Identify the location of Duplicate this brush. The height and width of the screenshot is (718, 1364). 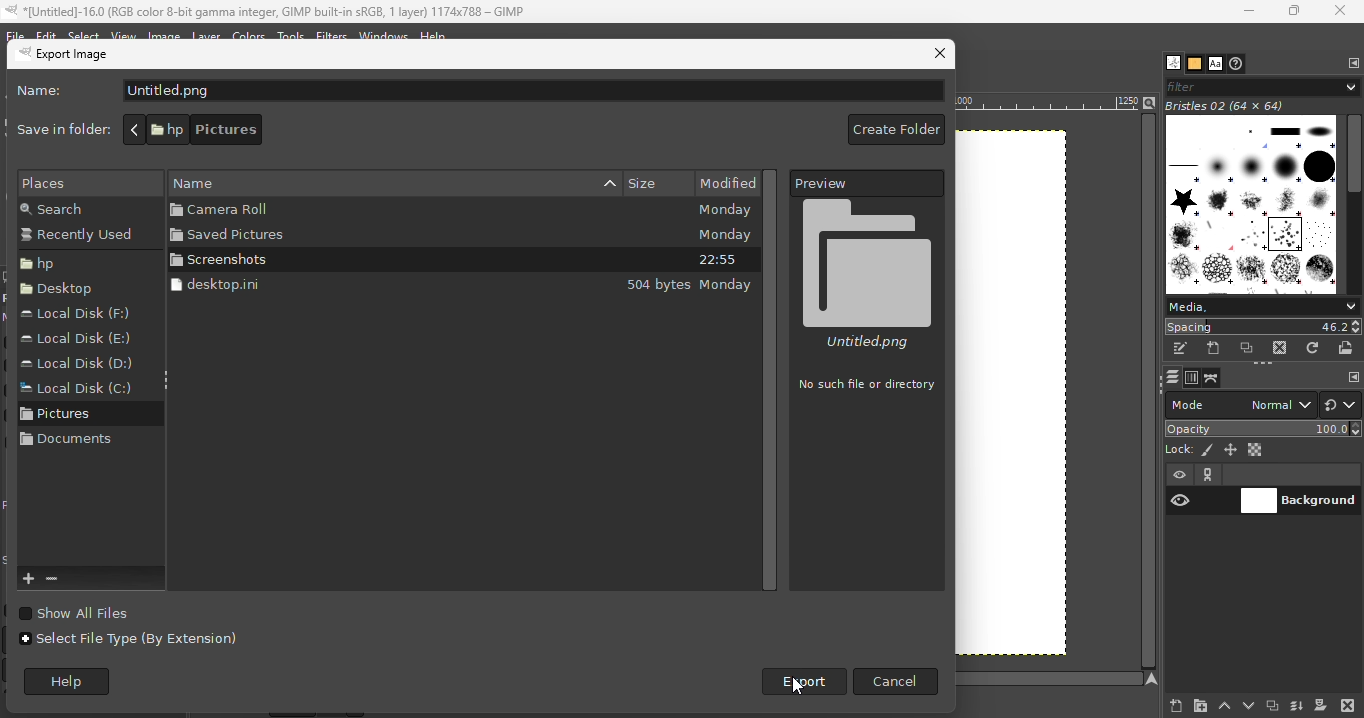
(1248, 348).